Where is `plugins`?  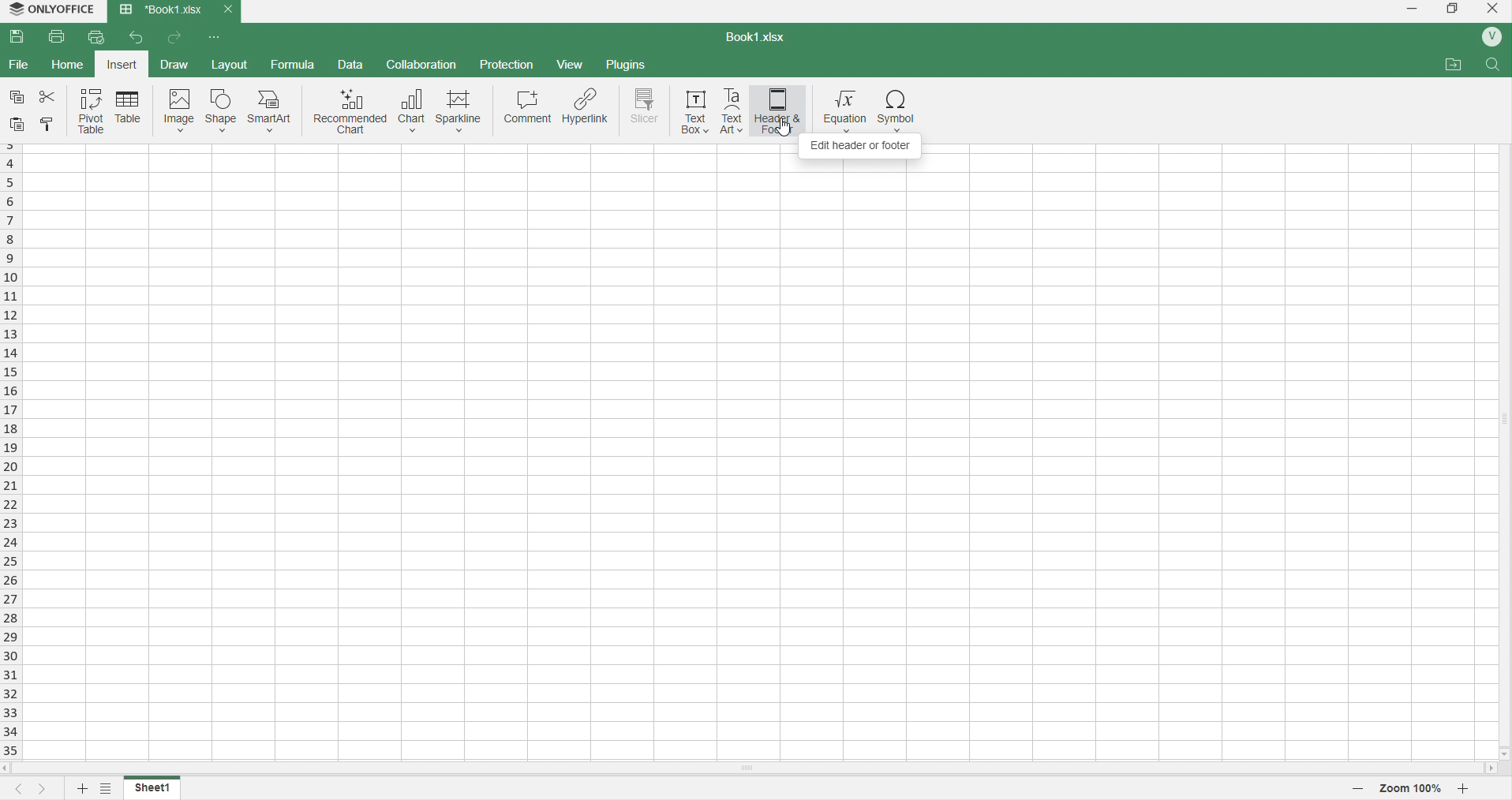
plugins is located at coordinates (631, 65).